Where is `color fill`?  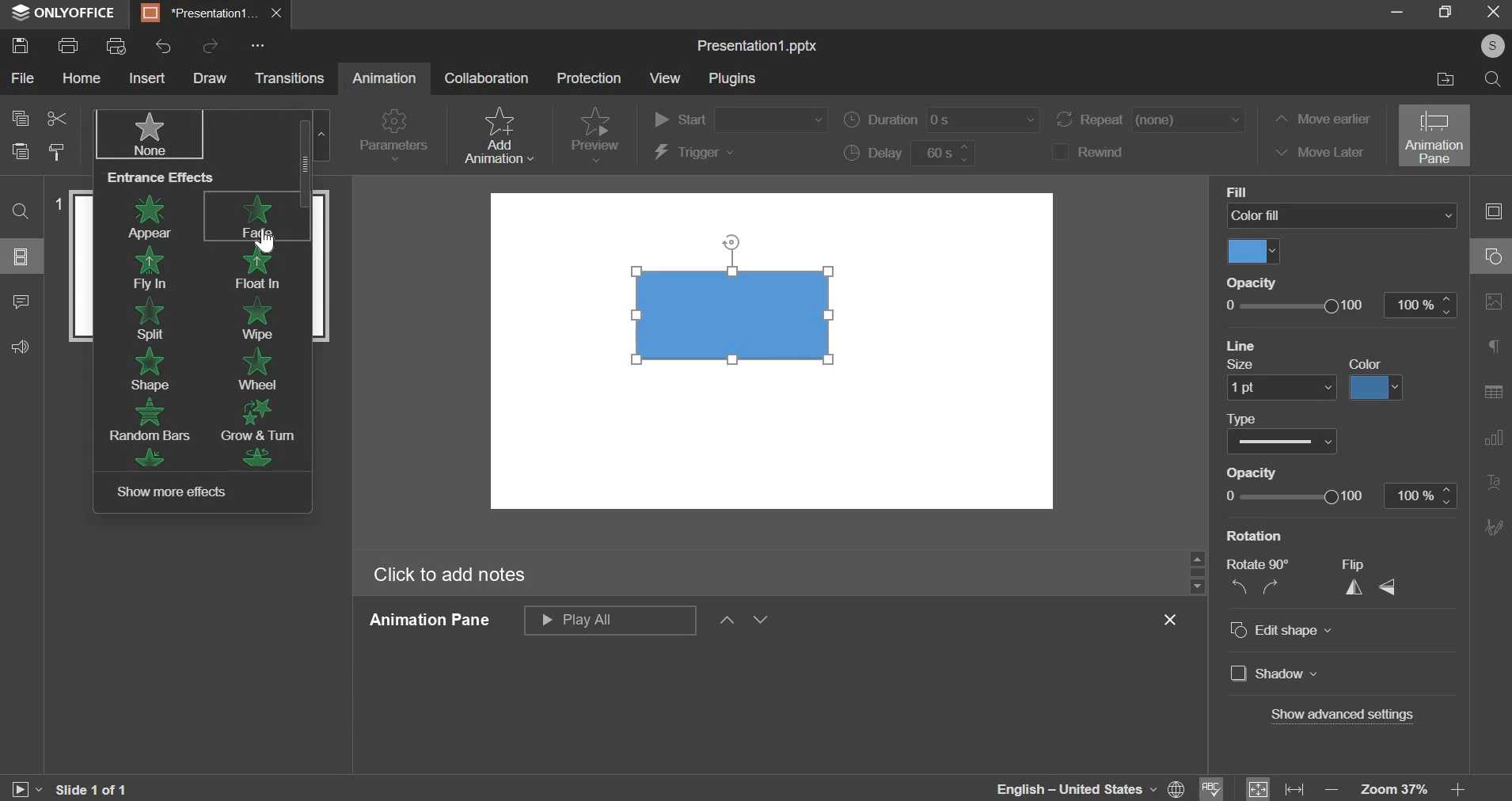 color fill is located at coordinates (1252, 250).